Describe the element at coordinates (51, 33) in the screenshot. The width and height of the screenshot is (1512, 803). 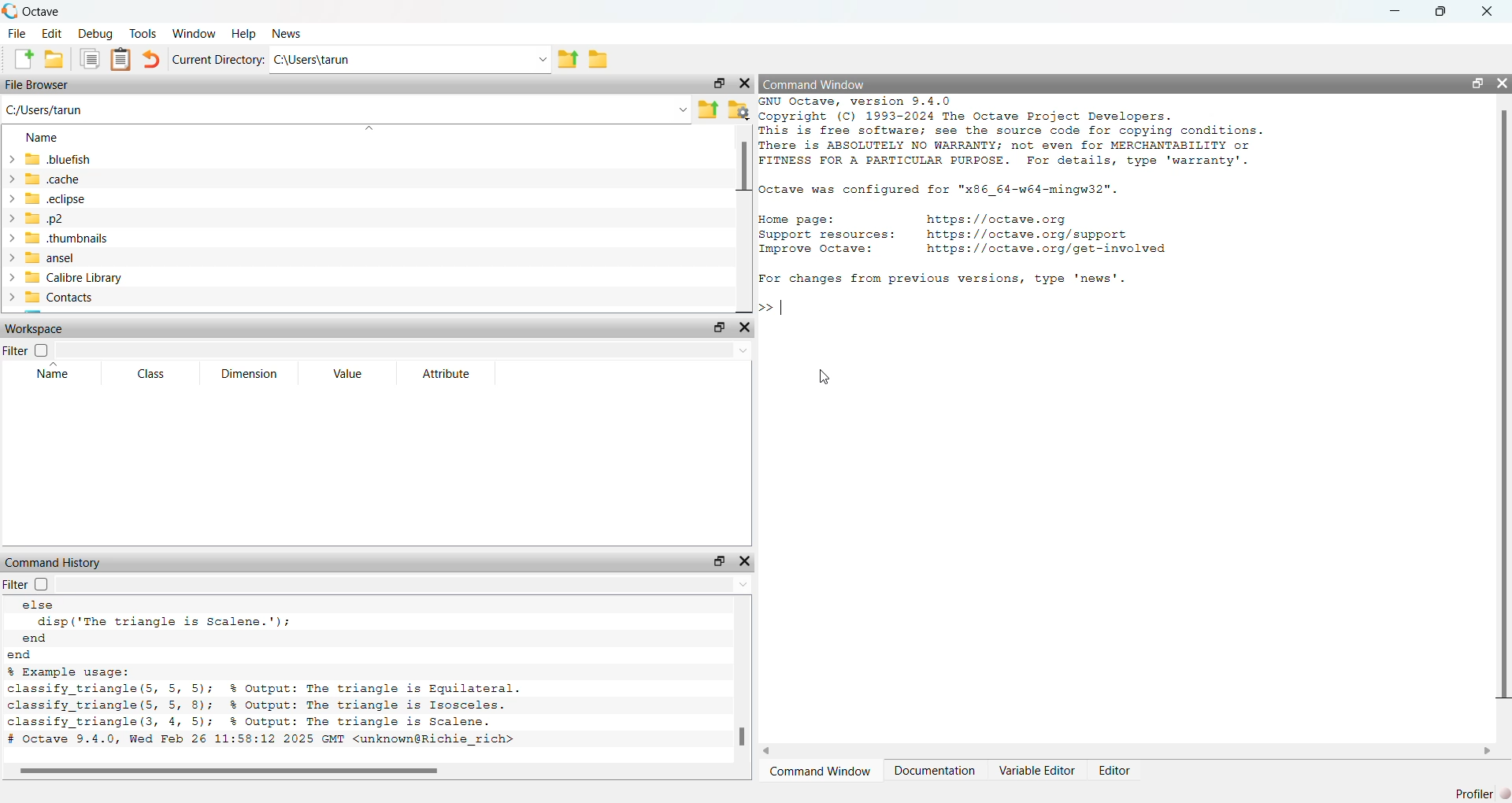
I see `edit` at that location.